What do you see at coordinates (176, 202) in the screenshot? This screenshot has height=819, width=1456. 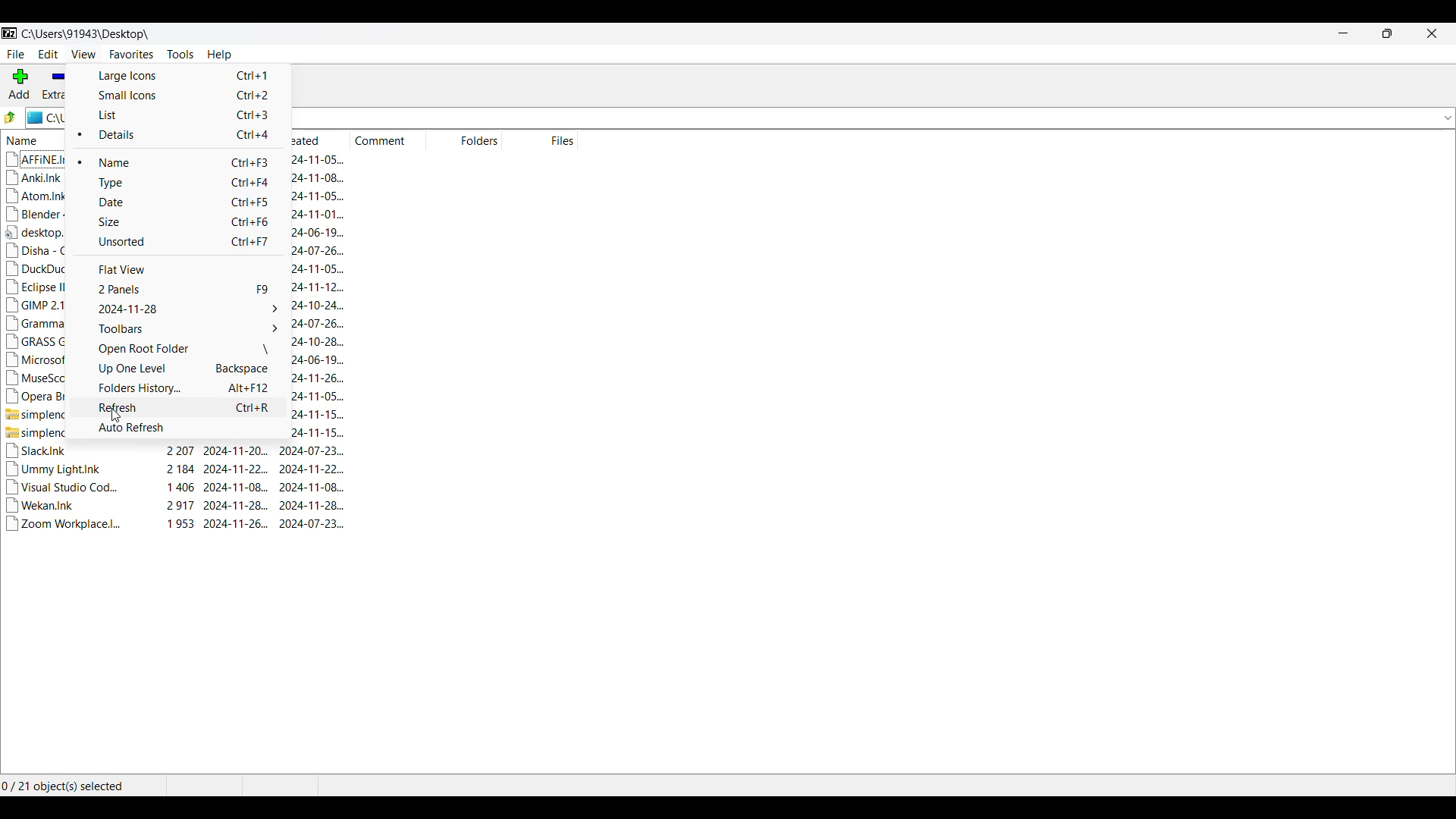 I see `Date` at bounding box center [176, 202].